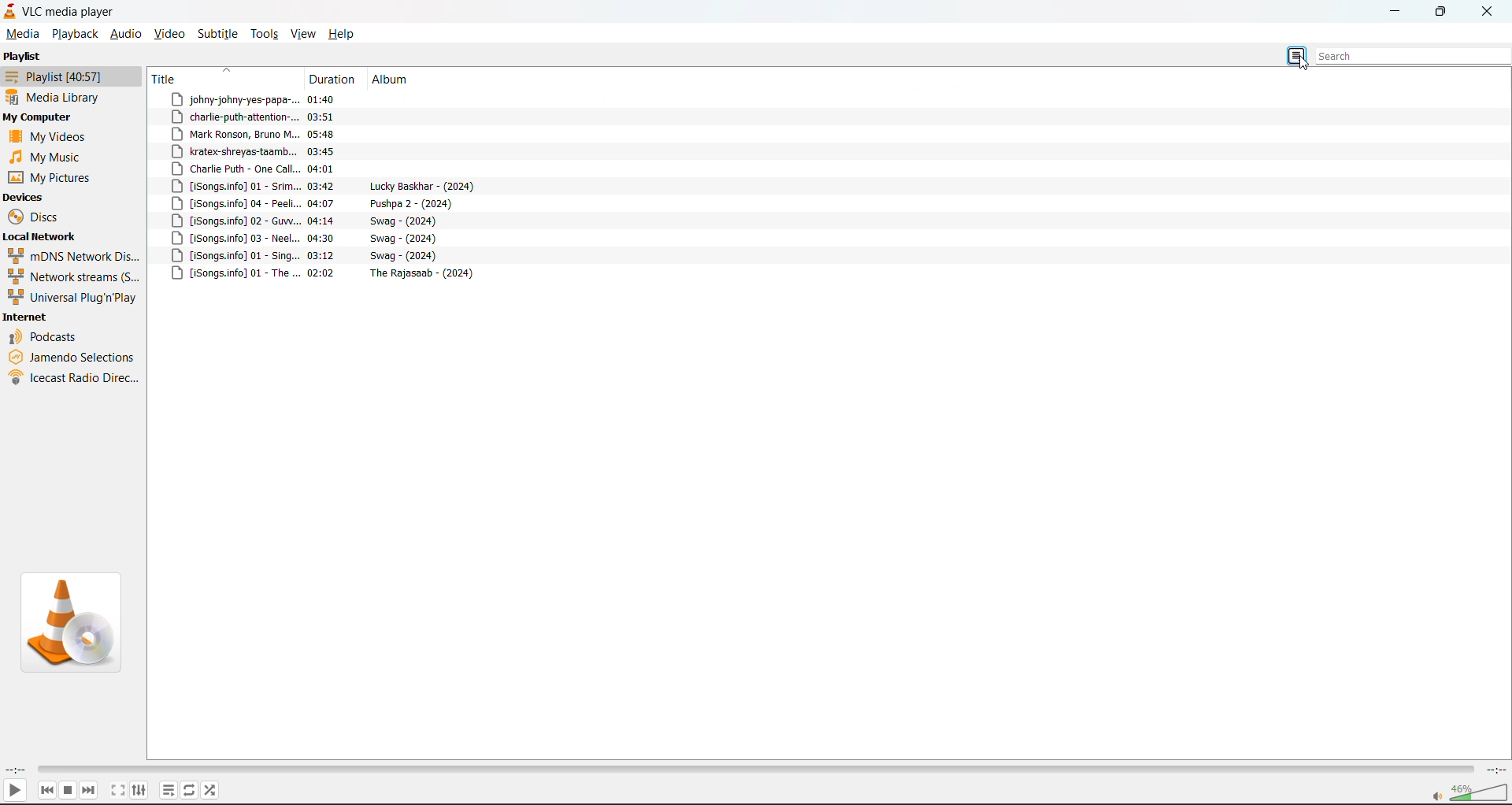 The width and height of the screenshot is (1512, 805). Describe the element at coordinates (43, 236) in the screenshot. I see `local network` at that location.